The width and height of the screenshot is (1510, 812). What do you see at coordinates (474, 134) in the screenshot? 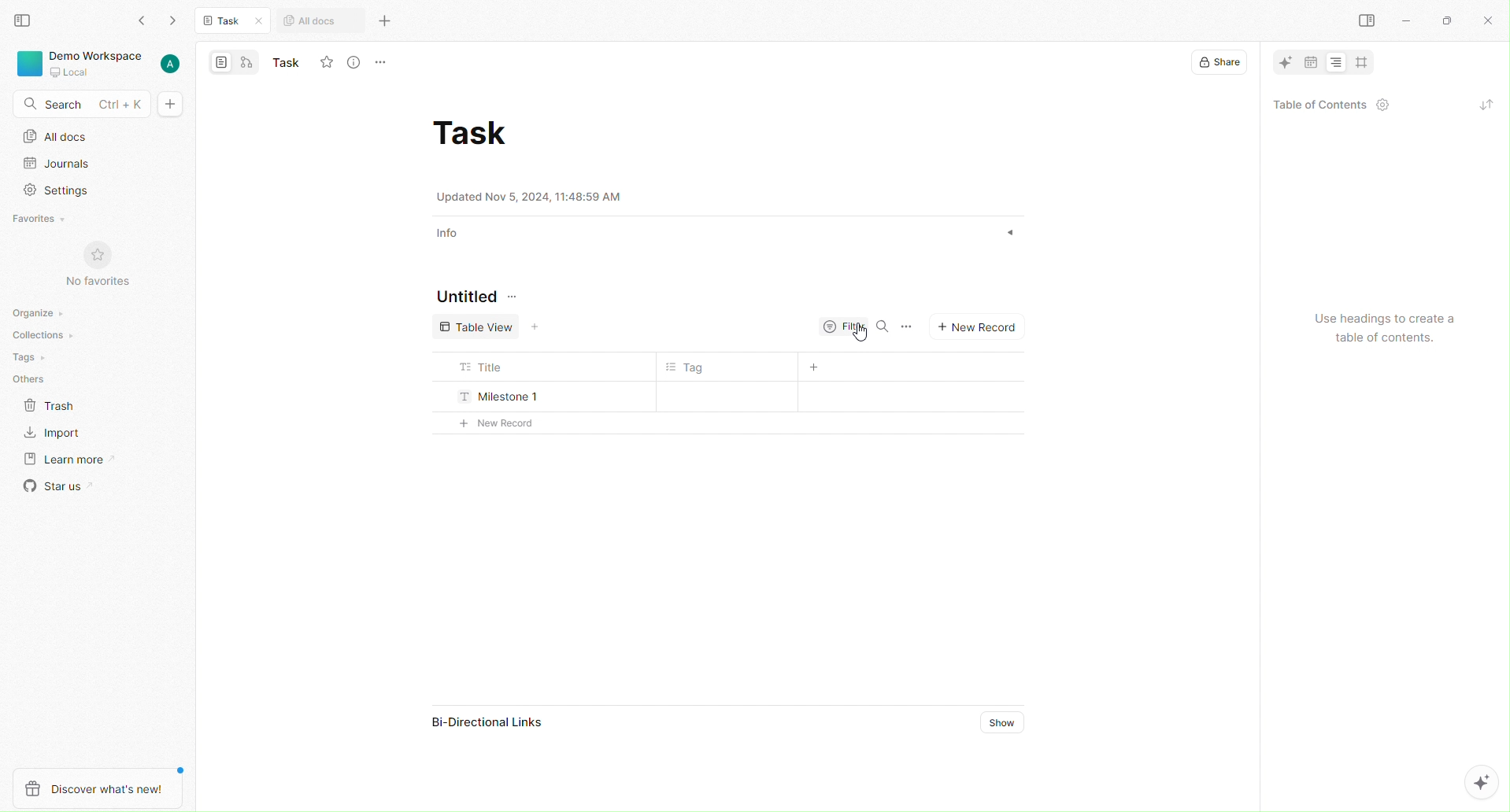
I see `Task` at bounding box center [474, 134].